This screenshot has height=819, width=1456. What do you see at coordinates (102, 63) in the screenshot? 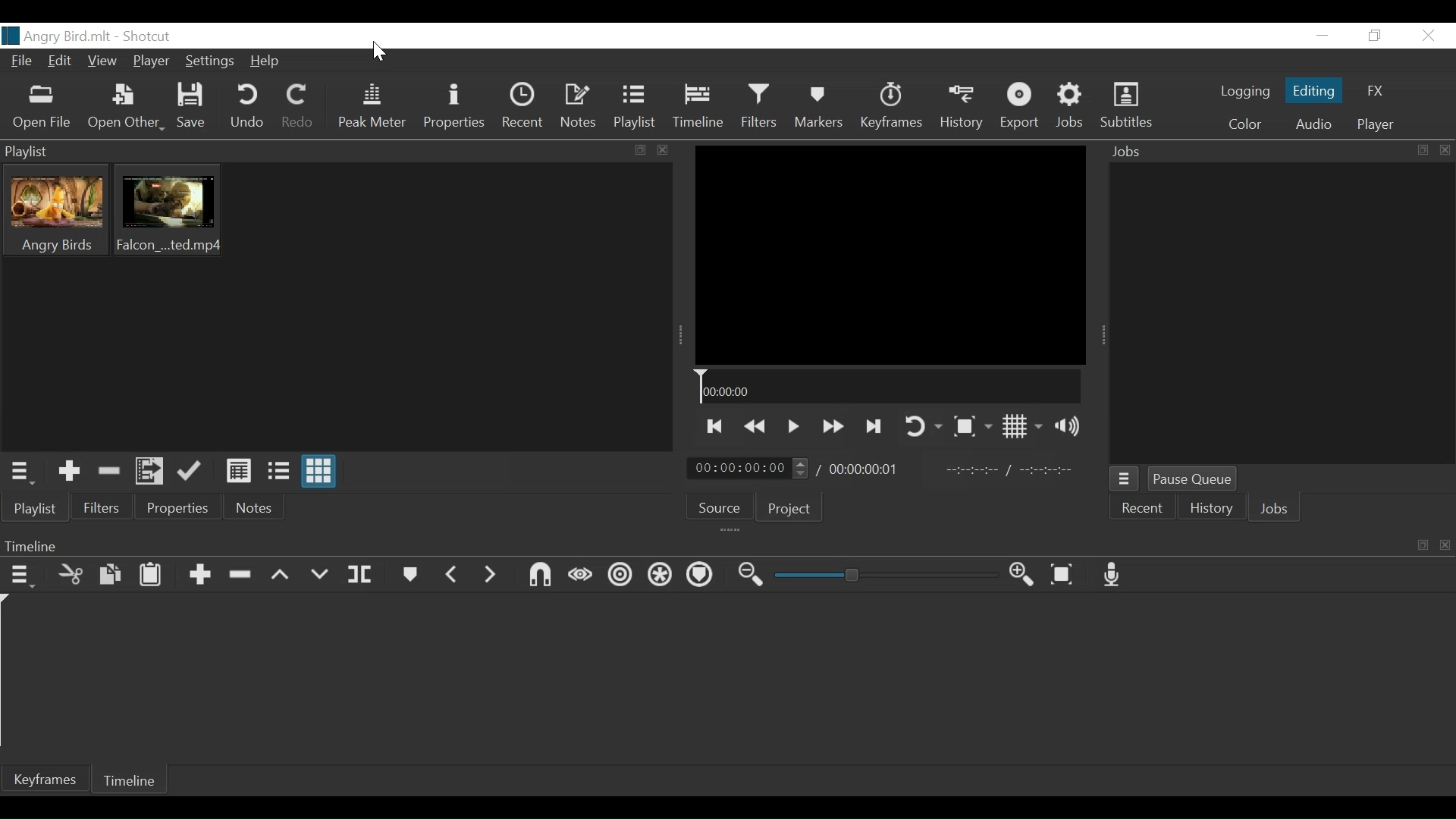
I see `View` at bounding box center [102, 63].